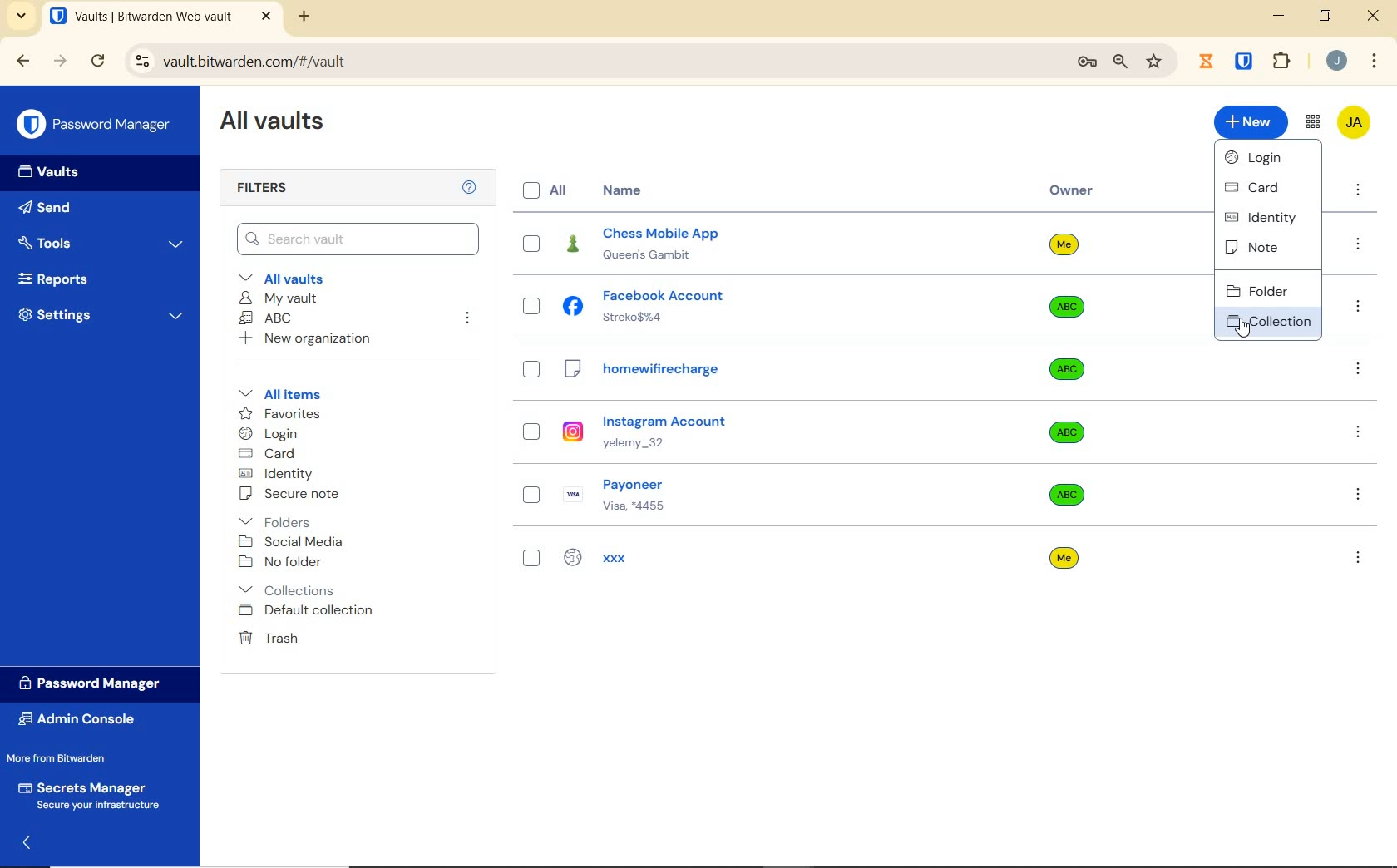  What do you see at coordinates (21, 16) in the screenshot?
I see `search tabs` at bounding box center [21, 16].